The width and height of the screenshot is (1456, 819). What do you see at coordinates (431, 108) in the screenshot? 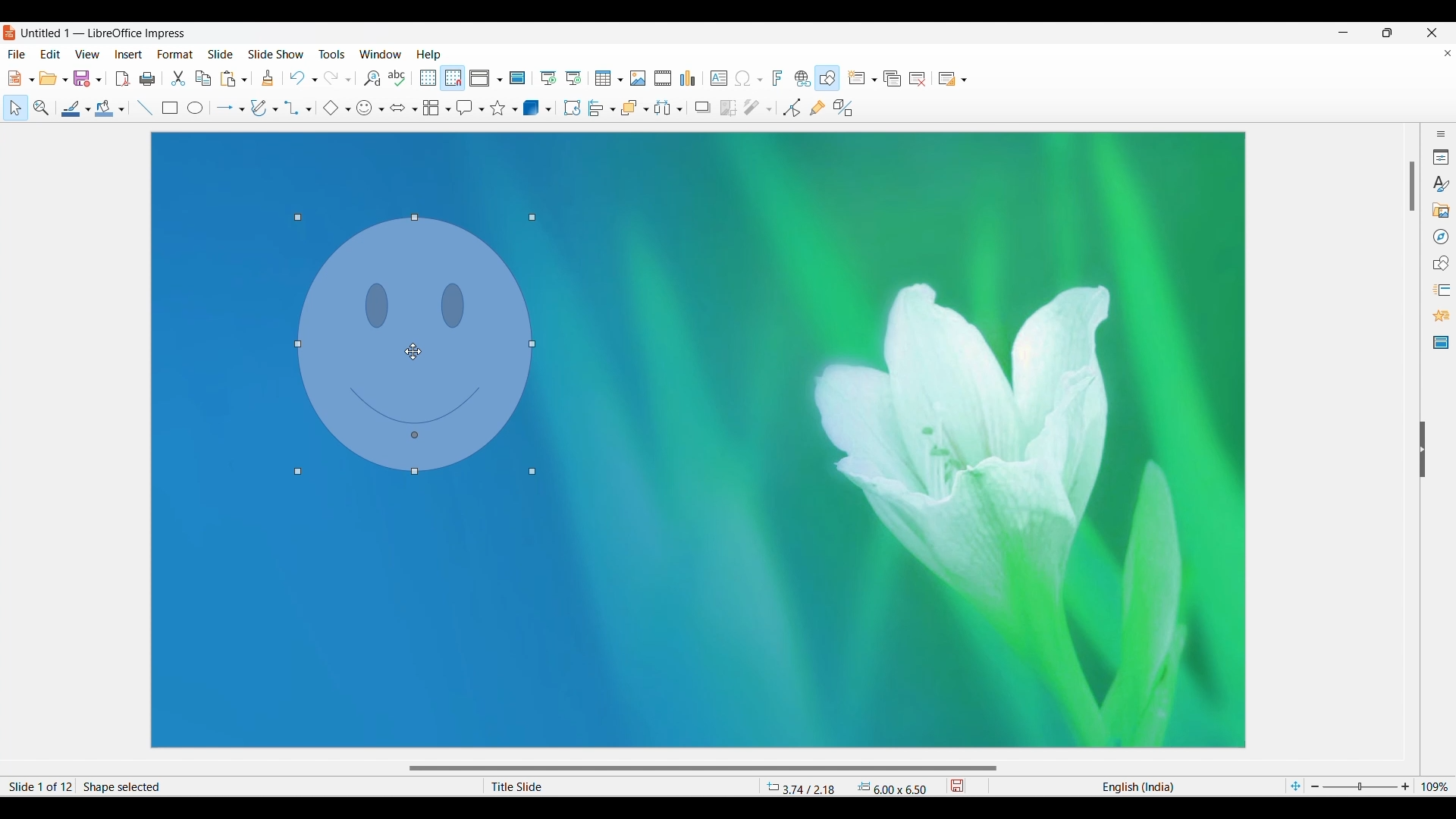
I see `Selected flowchart` at bounding box center [431, 108].